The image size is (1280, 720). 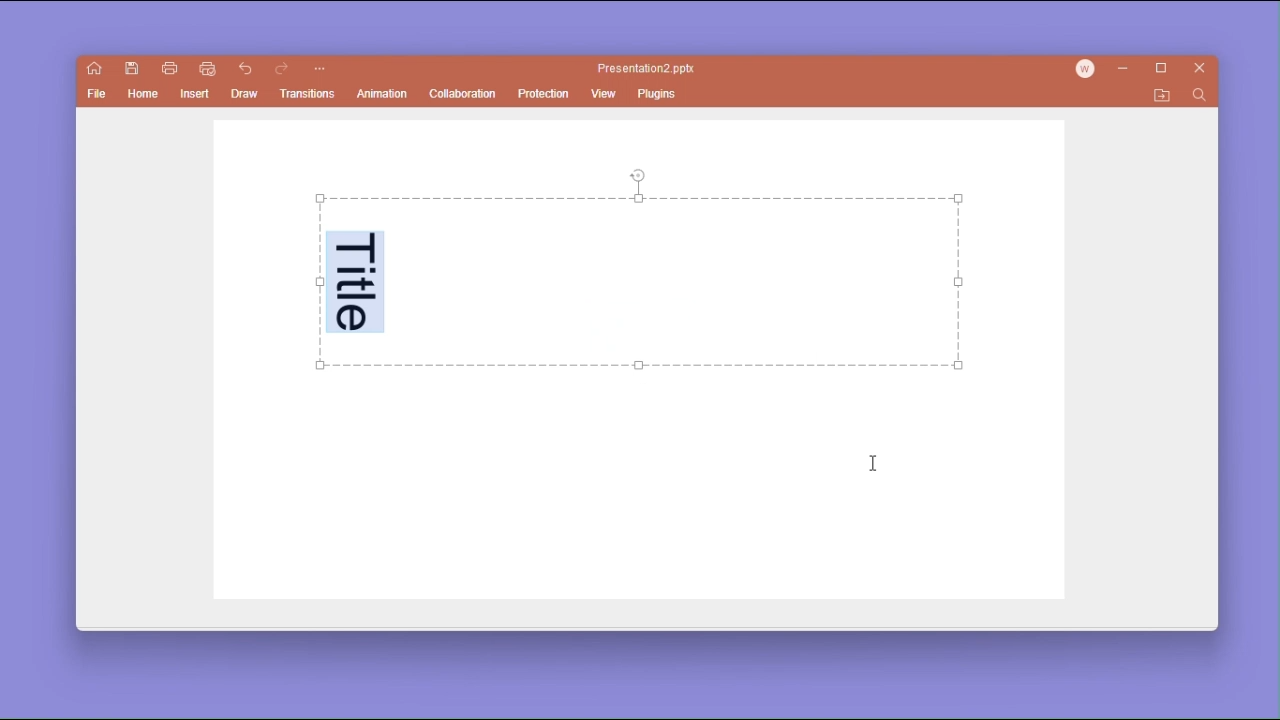 I want to click on insert, so click(x=194, y=96).